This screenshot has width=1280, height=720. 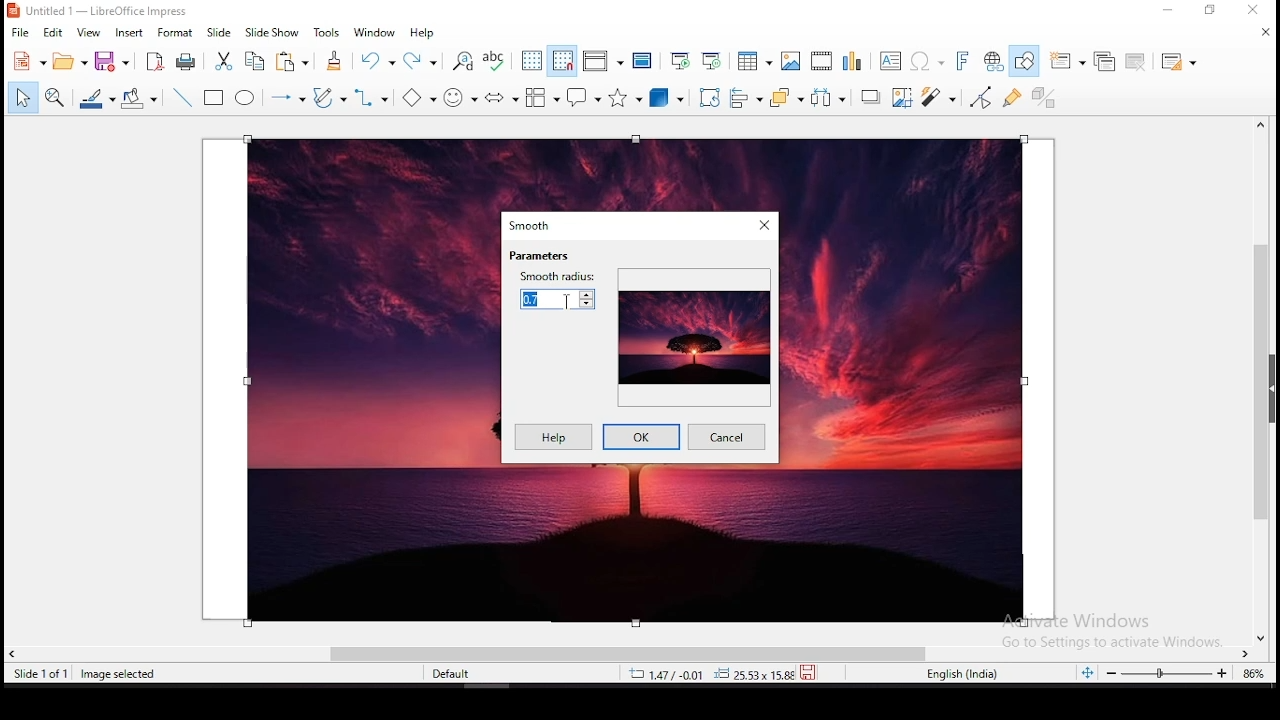 What do you see at coordinates (540, 256) in the screenshot?
I see `parameters` at bounding box center [540, 256].